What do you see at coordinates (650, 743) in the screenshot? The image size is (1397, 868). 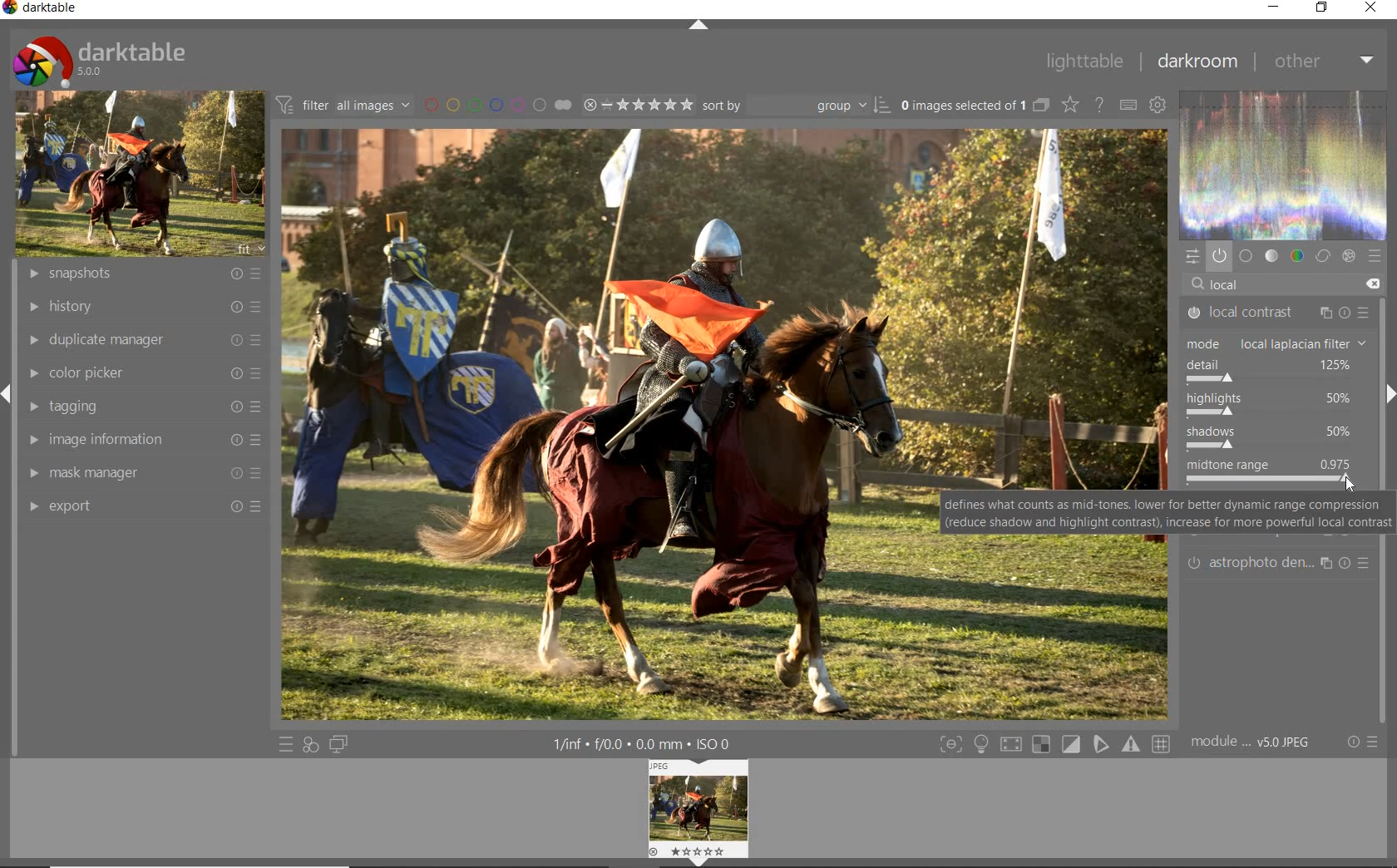 I see `display information` at bounding box center [650, 743].